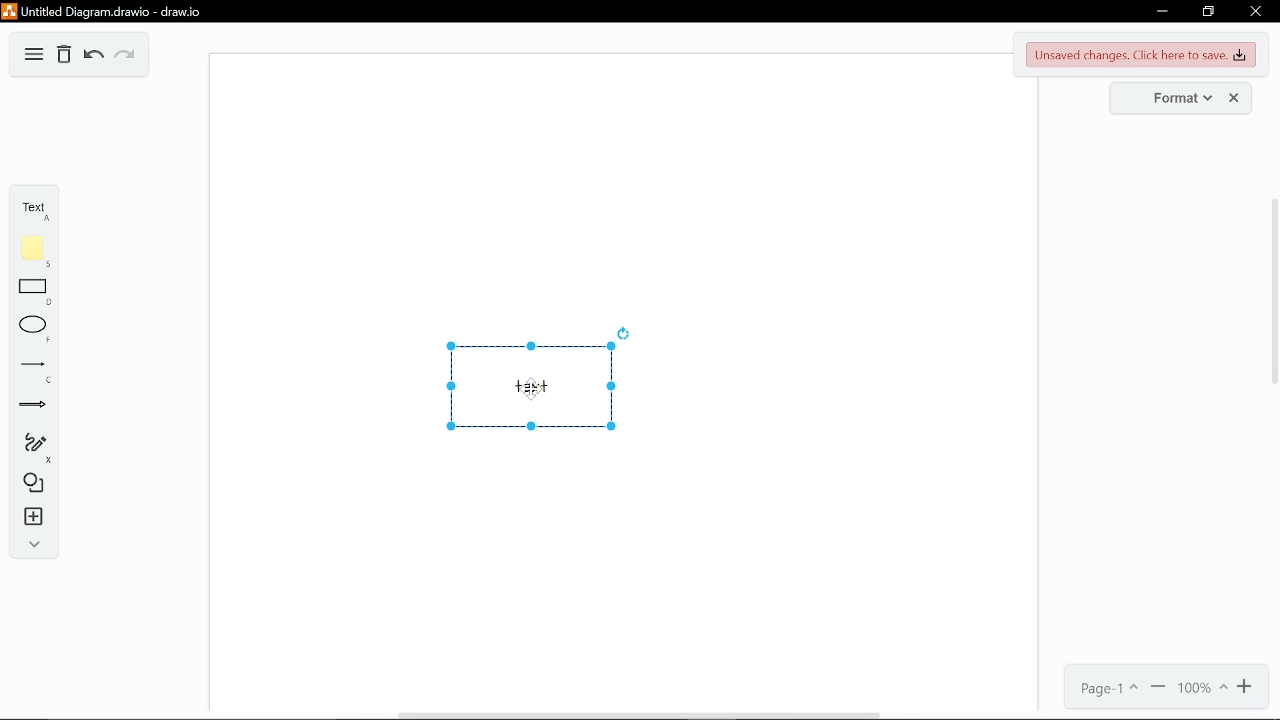 The height and width of the screenshot is (720, 1280). I want to click on rotate, so click(624, 333).